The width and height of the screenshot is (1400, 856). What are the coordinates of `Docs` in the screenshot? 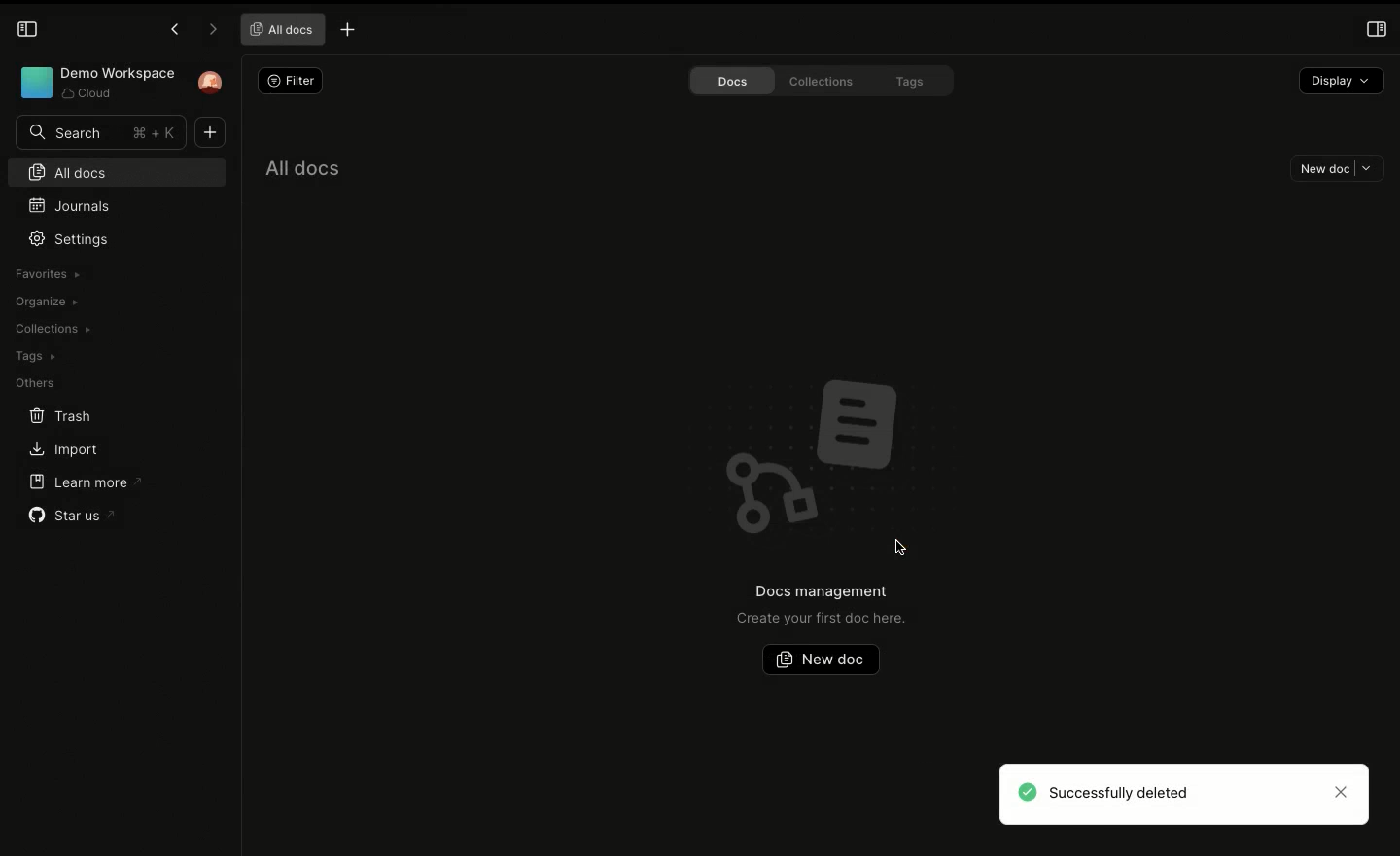 It's located at (732, 80).